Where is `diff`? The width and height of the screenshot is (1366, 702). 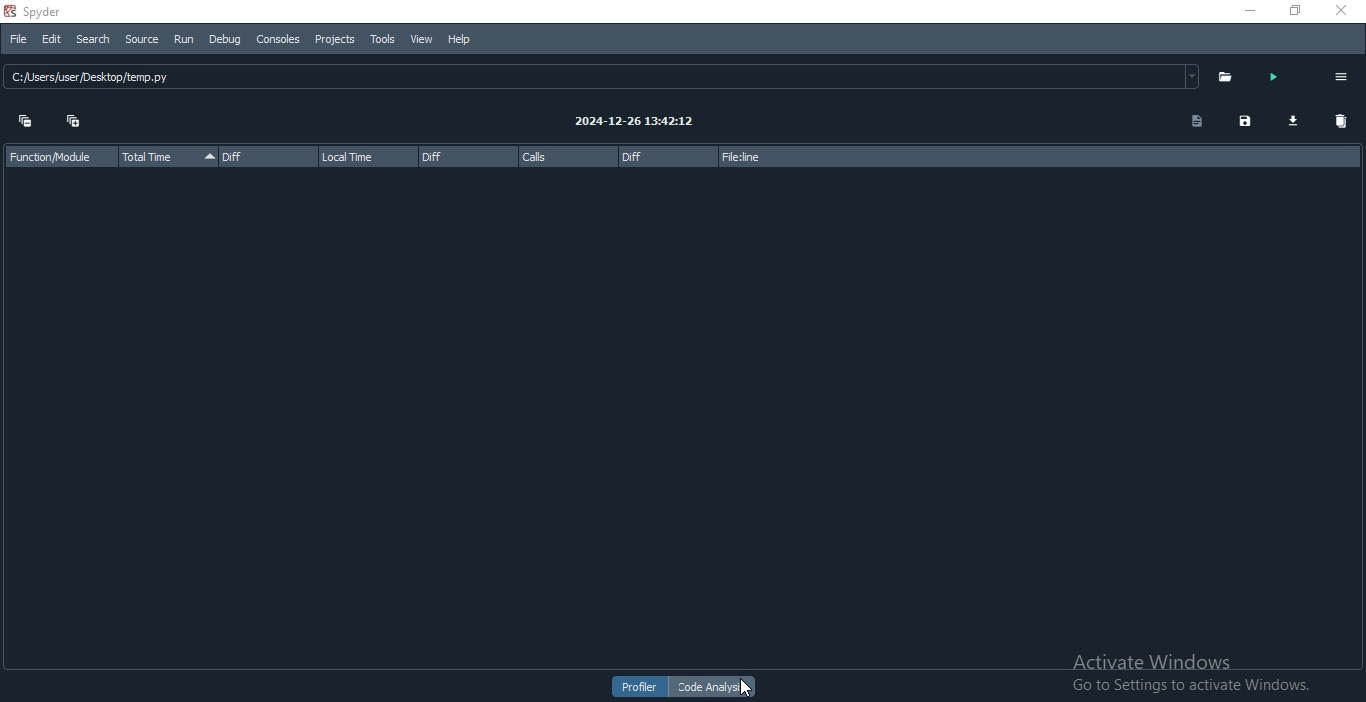 diff is located at coordinates (663, 155).